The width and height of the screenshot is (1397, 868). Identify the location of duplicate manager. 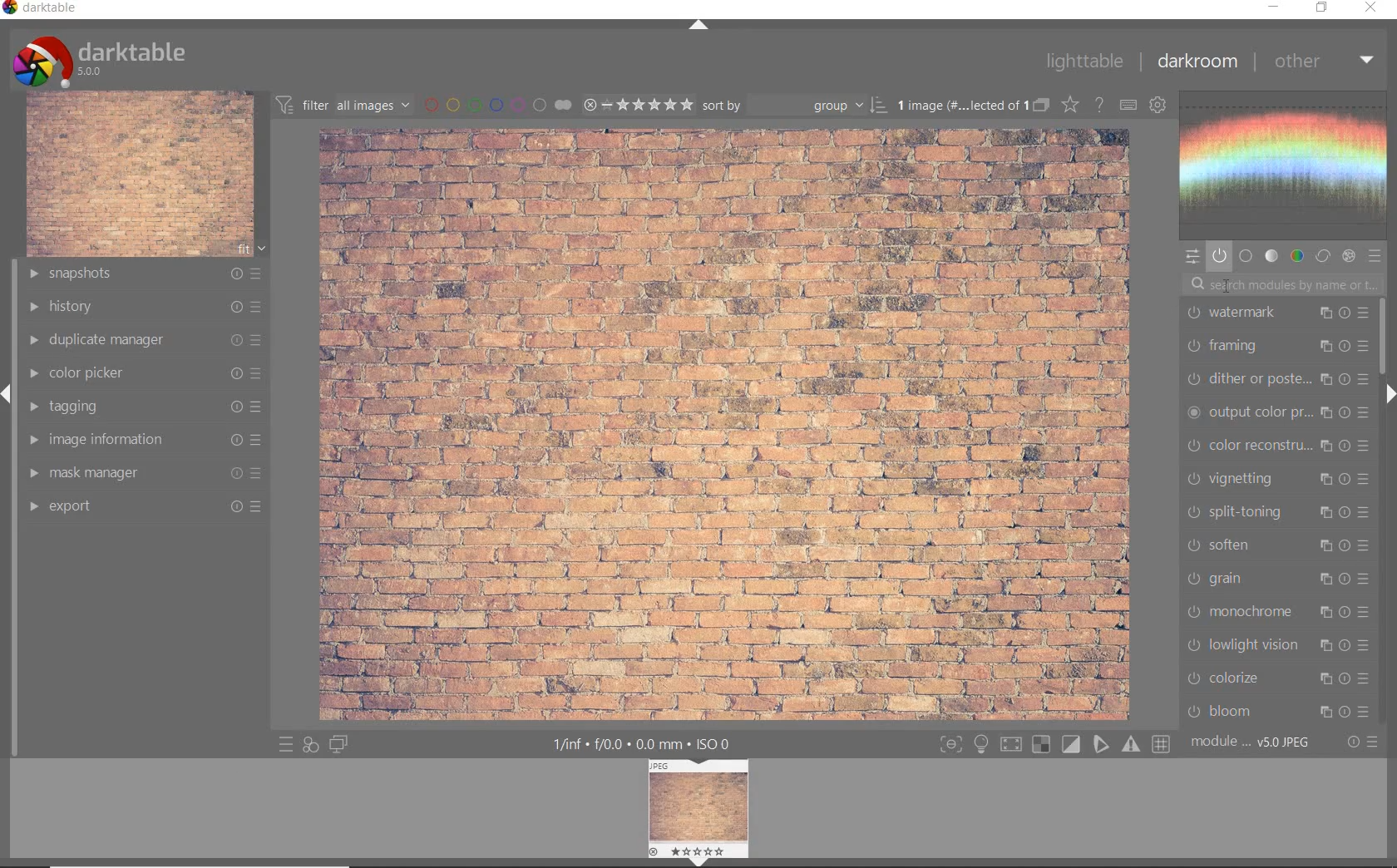
(146, 342).